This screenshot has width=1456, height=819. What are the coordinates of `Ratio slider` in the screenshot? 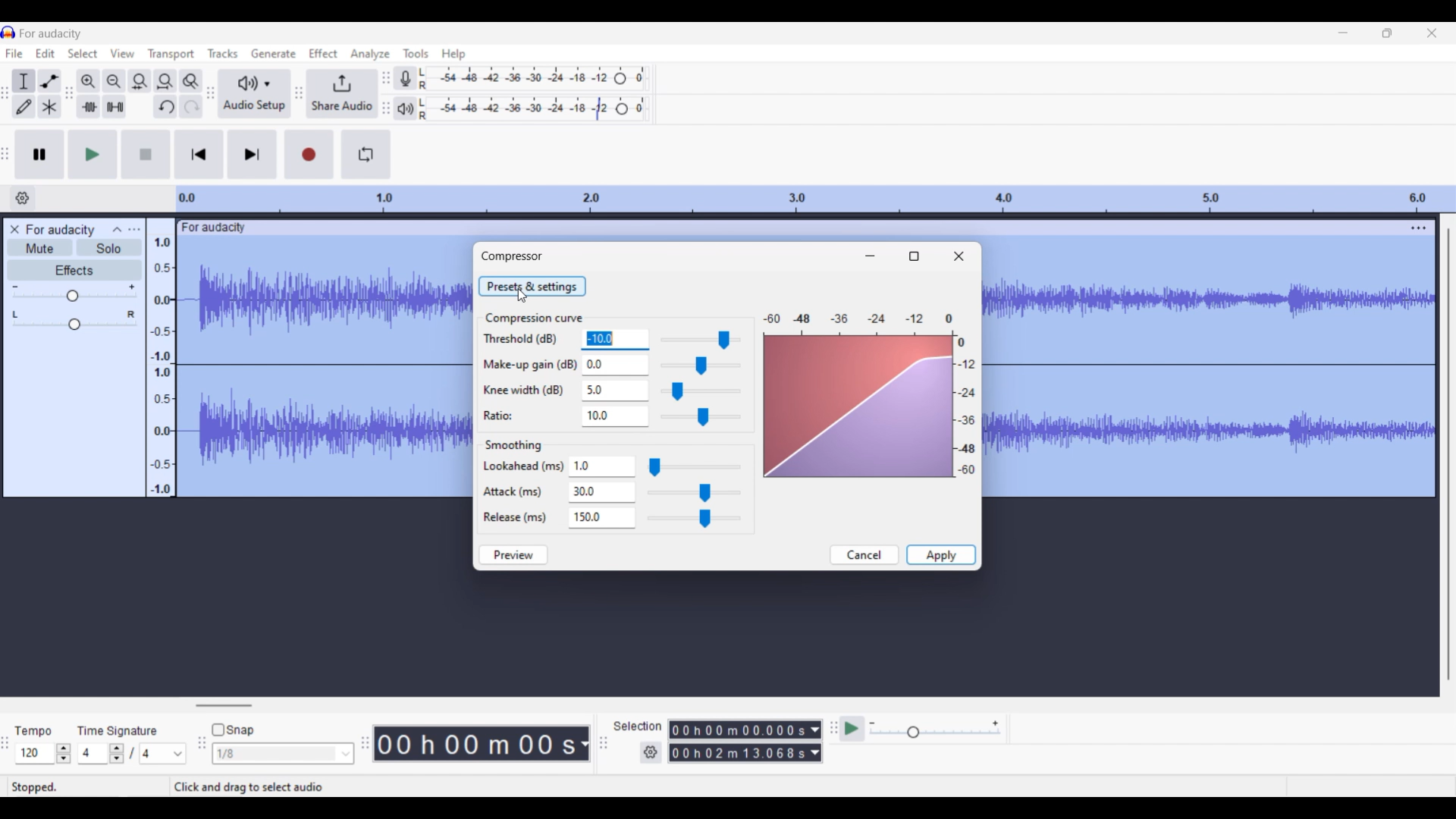 It's located at (701, 417).